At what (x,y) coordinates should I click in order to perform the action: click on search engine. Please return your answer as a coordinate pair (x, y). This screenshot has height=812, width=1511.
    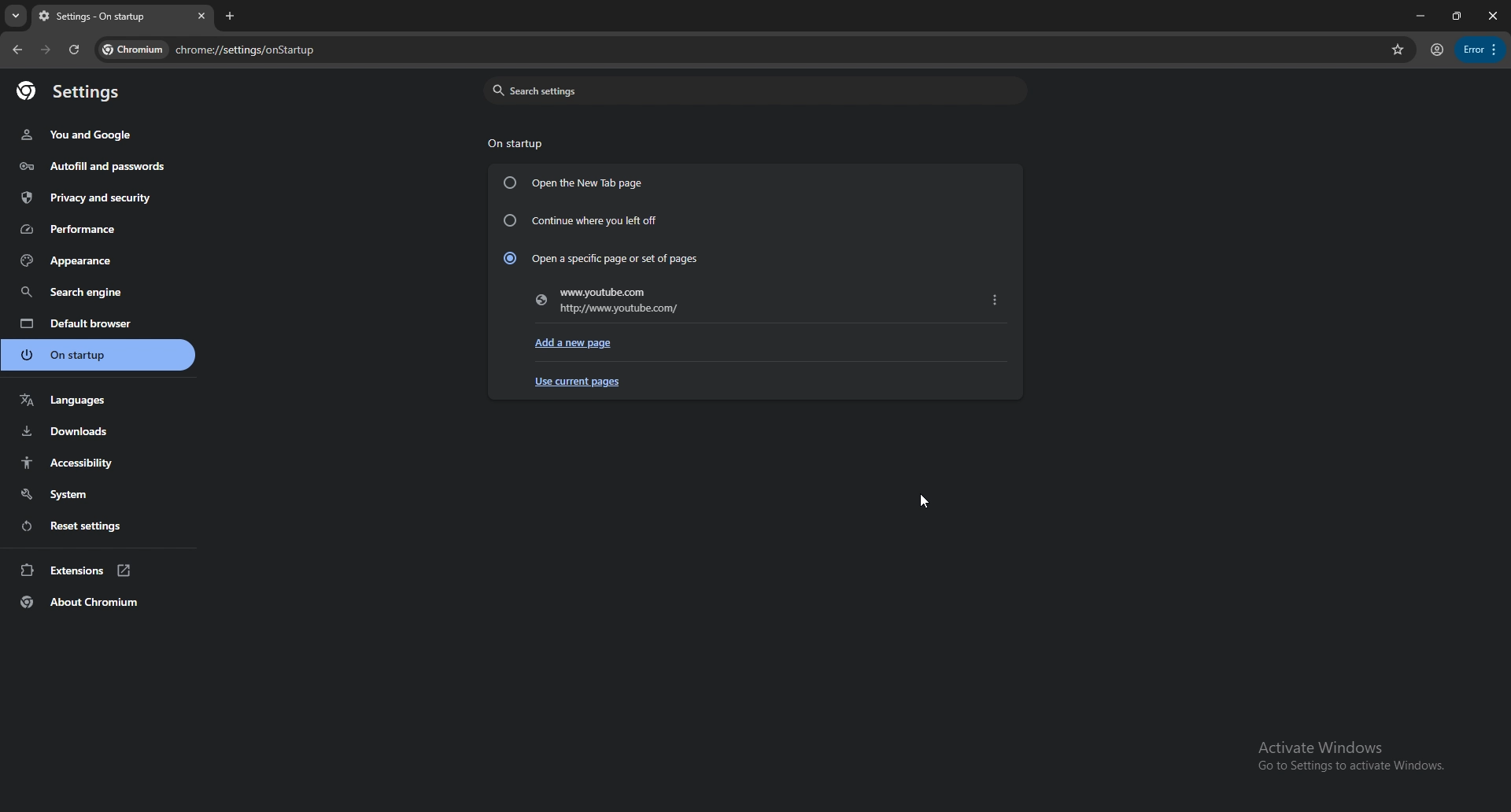
    Looking at the image, I should click on (98, 291).